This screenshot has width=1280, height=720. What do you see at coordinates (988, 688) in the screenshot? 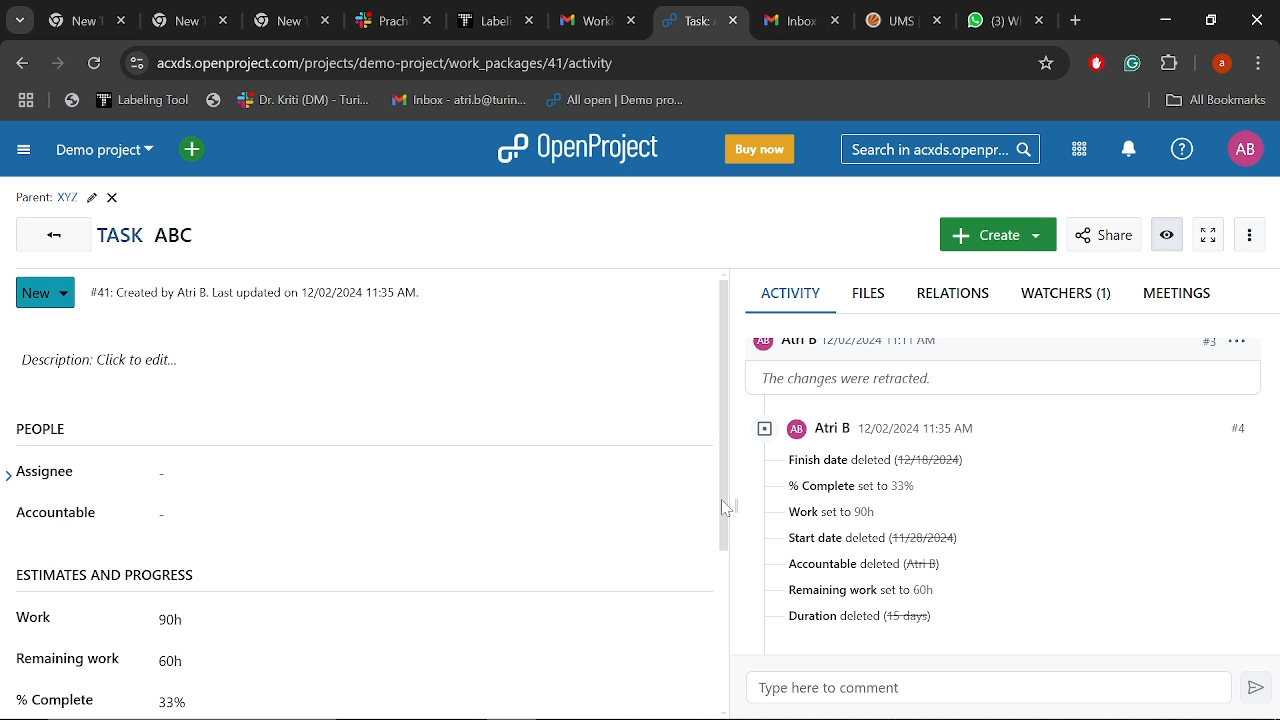
I see `Type here to comment` at bounding box center [988, 688].